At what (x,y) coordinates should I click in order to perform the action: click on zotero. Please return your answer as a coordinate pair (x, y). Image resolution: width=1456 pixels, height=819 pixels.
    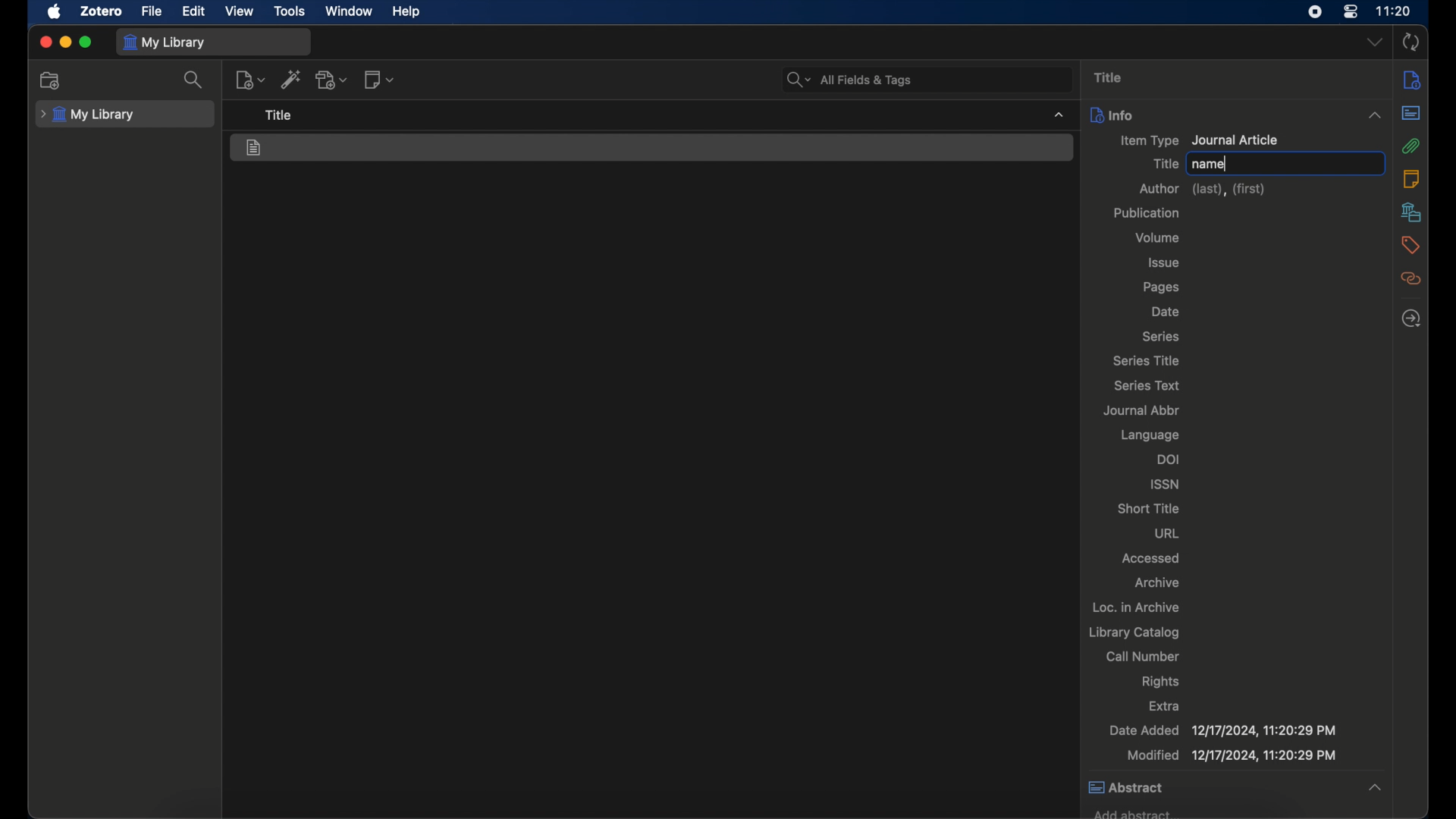
    Looking at the image, I should click on (102, 11).